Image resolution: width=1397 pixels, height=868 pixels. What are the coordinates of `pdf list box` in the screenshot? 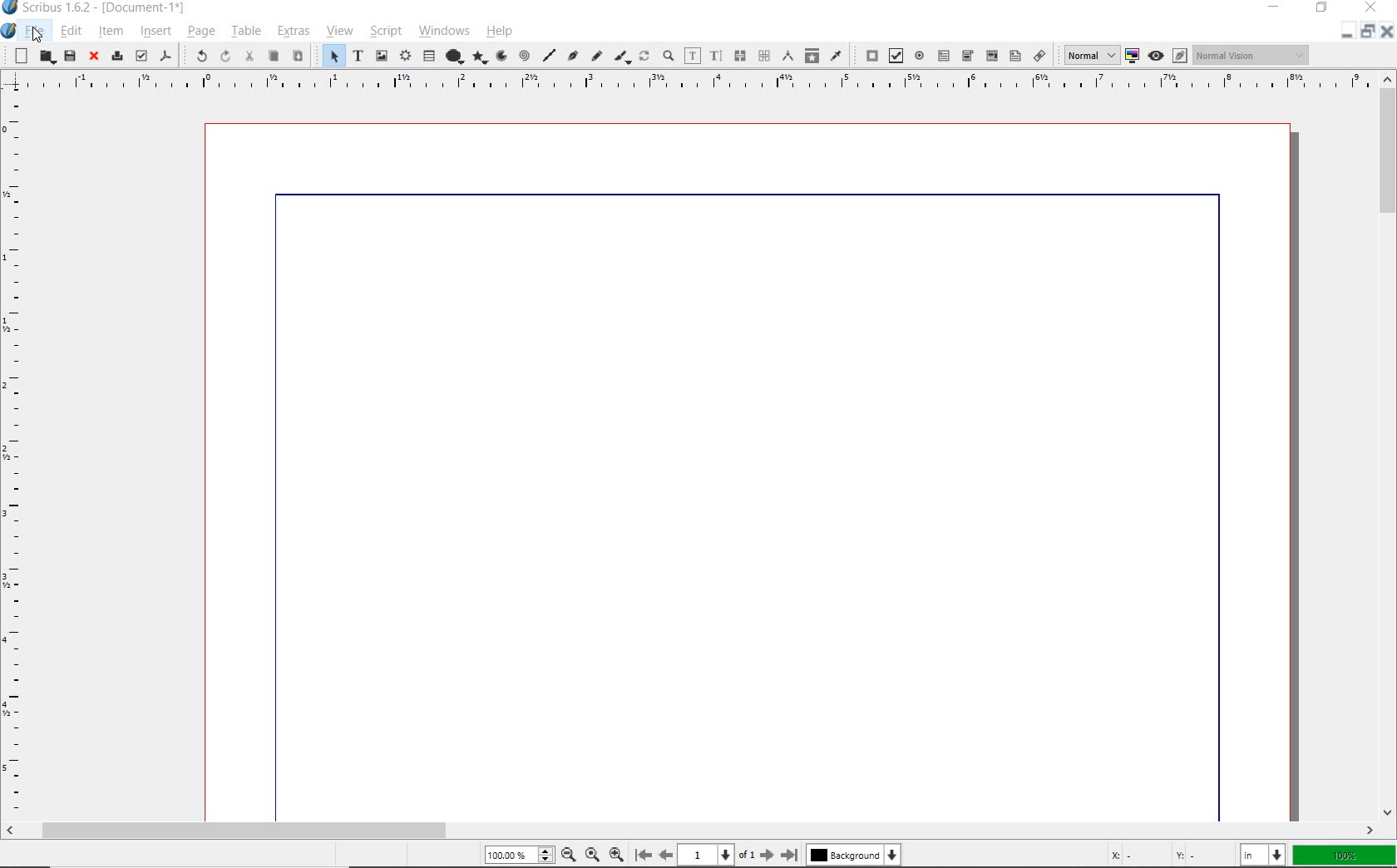 It's located at (1014, 57).